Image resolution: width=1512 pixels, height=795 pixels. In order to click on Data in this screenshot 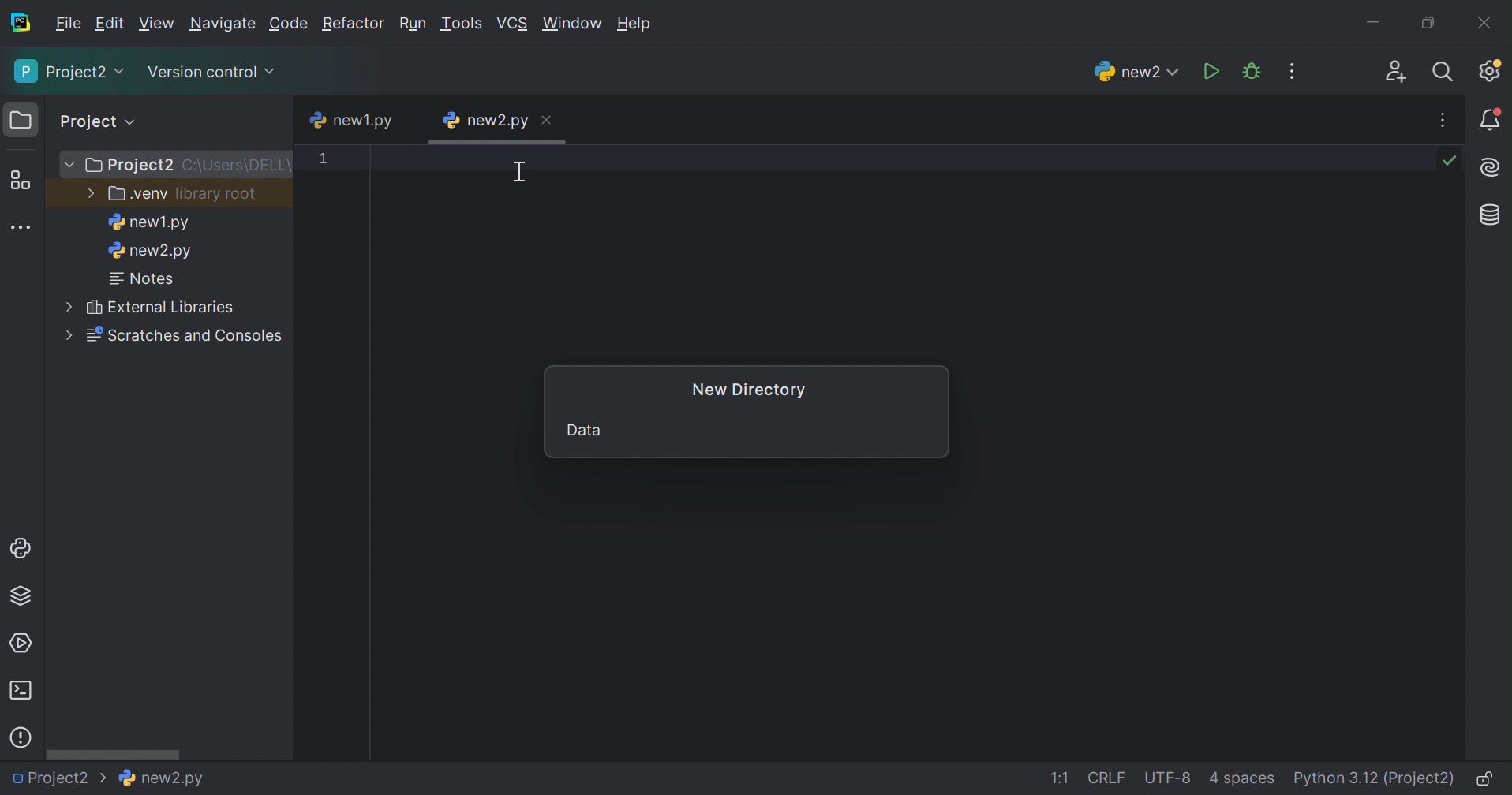, I will do `click(583, 428)`.